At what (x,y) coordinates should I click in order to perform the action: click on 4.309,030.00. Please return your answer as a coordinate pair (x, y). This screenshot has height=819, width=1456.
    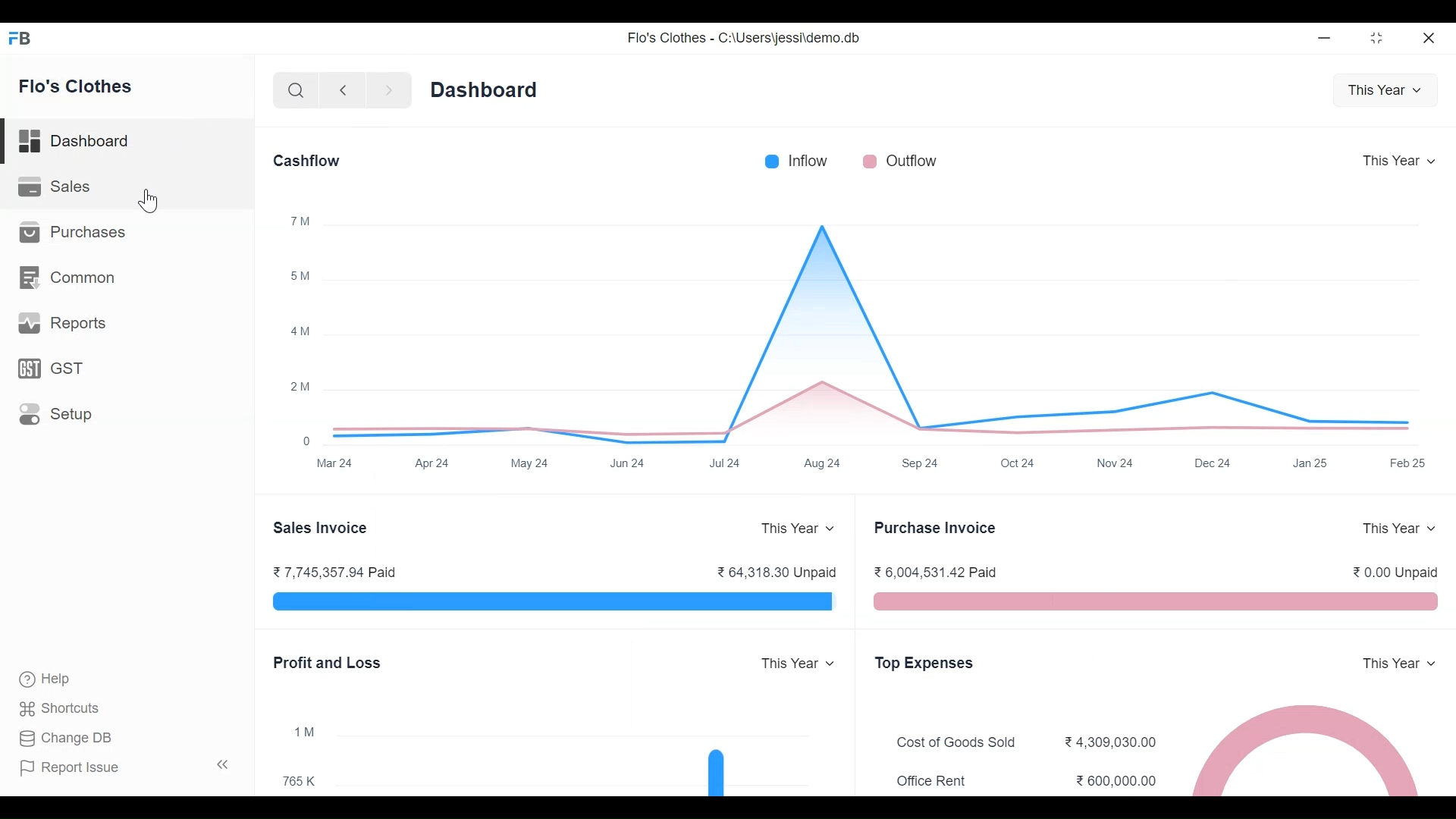
    Looking at the image, I should click on (1110, 741).